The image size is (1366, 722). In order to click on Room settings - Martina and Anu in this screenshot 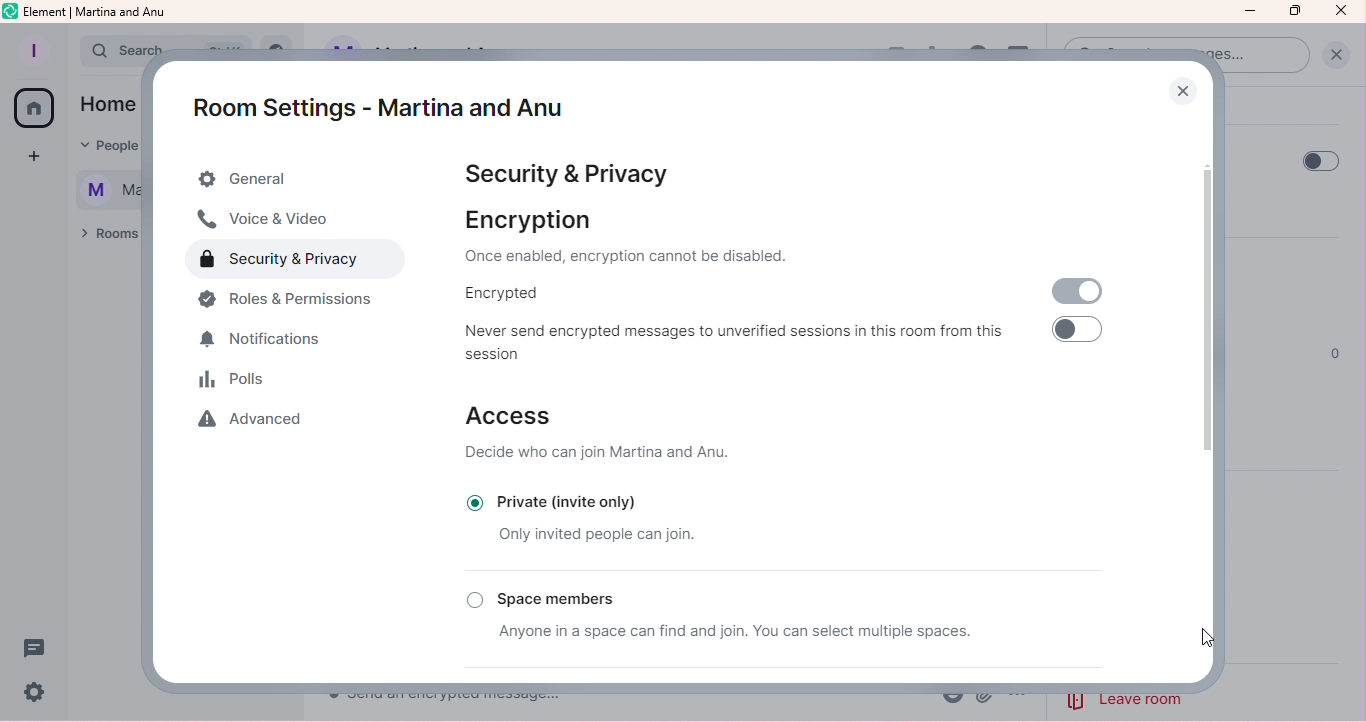, I will do `click(373, 107)`.